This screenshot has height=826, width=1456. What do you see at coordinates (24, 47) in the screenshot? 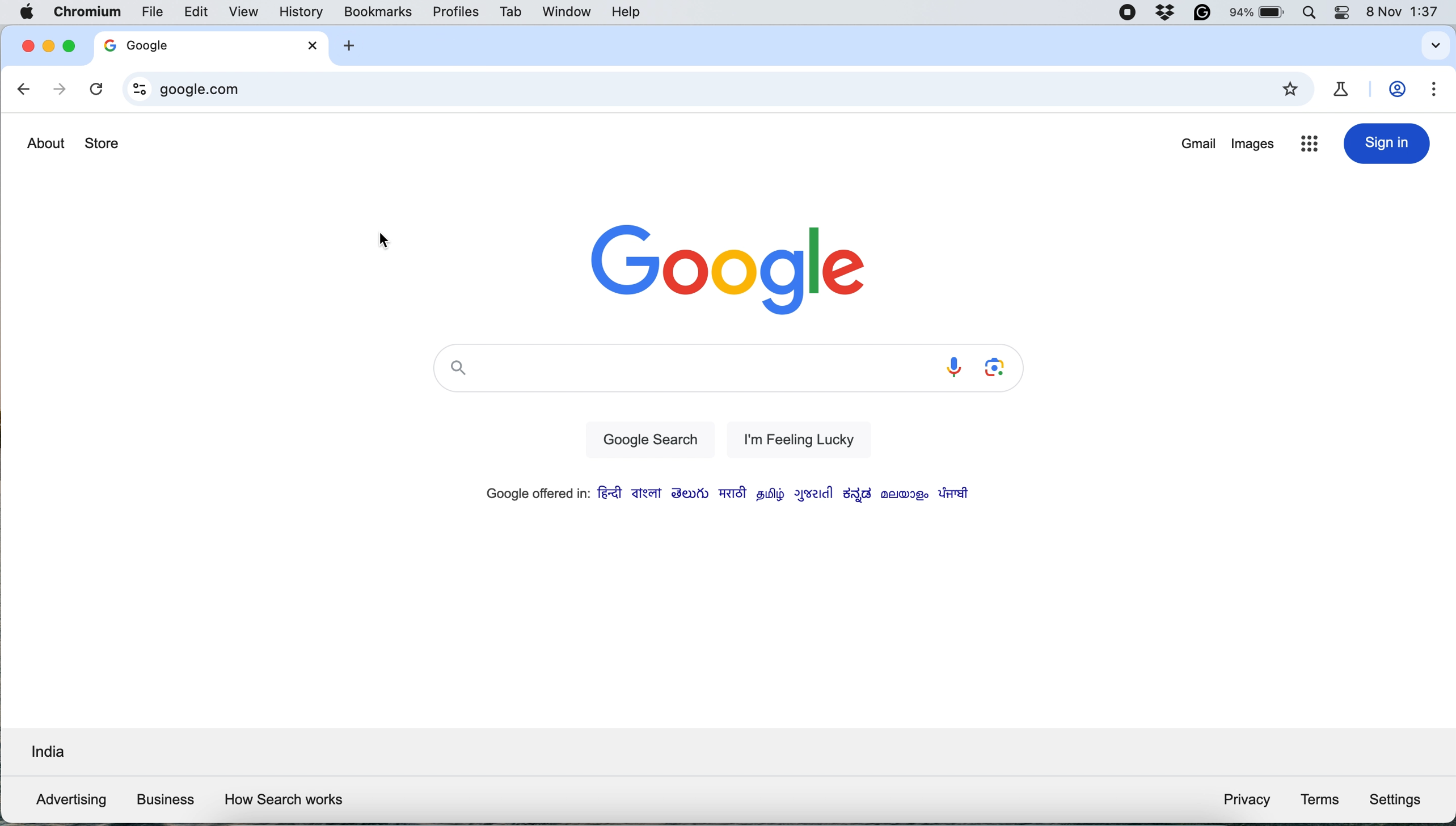
I see `close` at bounding box center [24, 47].